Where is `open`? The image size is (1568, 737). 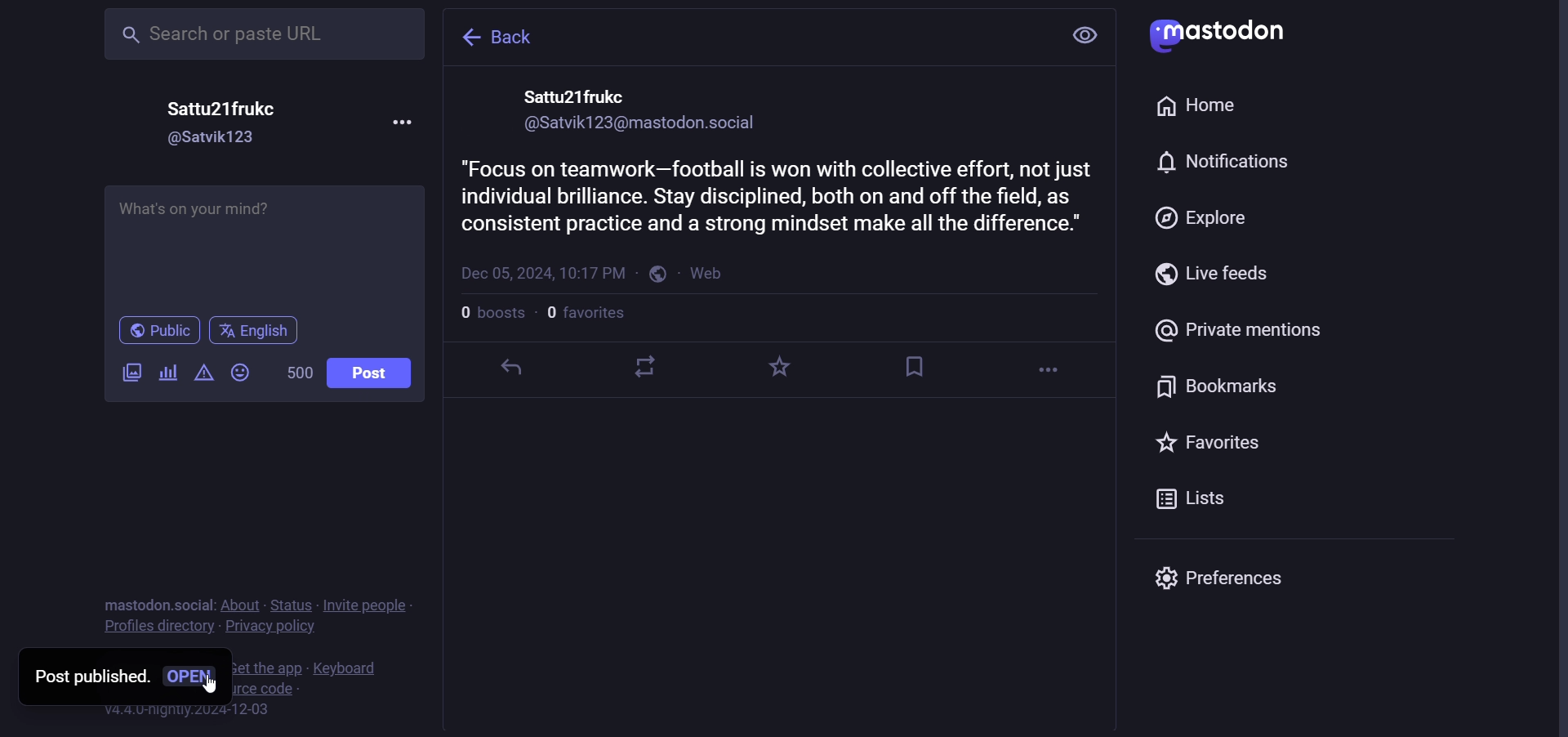
open is located at coordinates (194, 679).